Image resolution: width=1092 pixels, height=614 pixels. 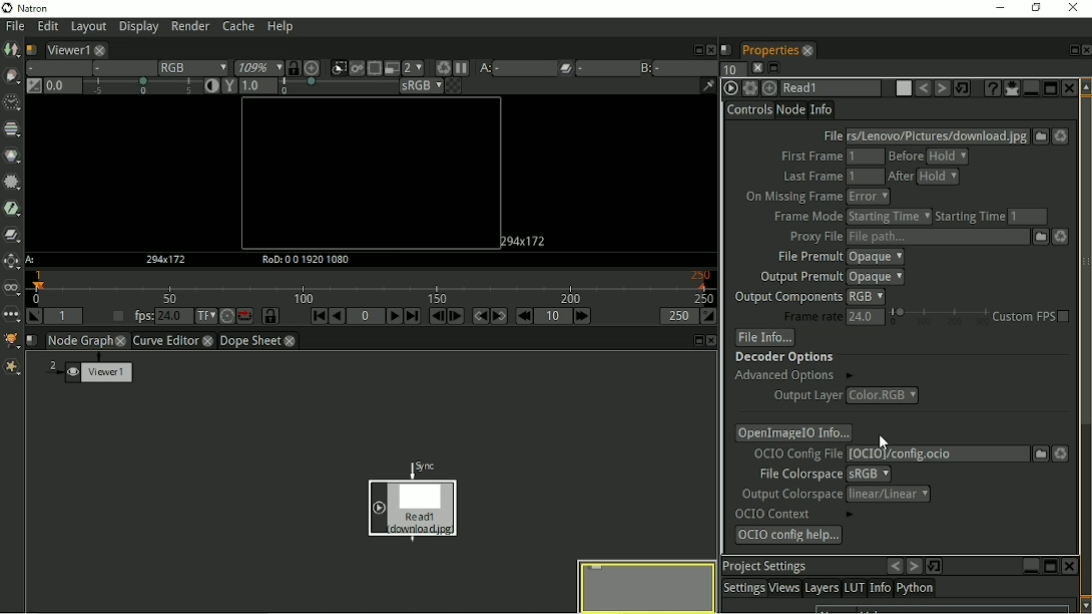 I want to click on Node graph, so click(x=88, y=341).